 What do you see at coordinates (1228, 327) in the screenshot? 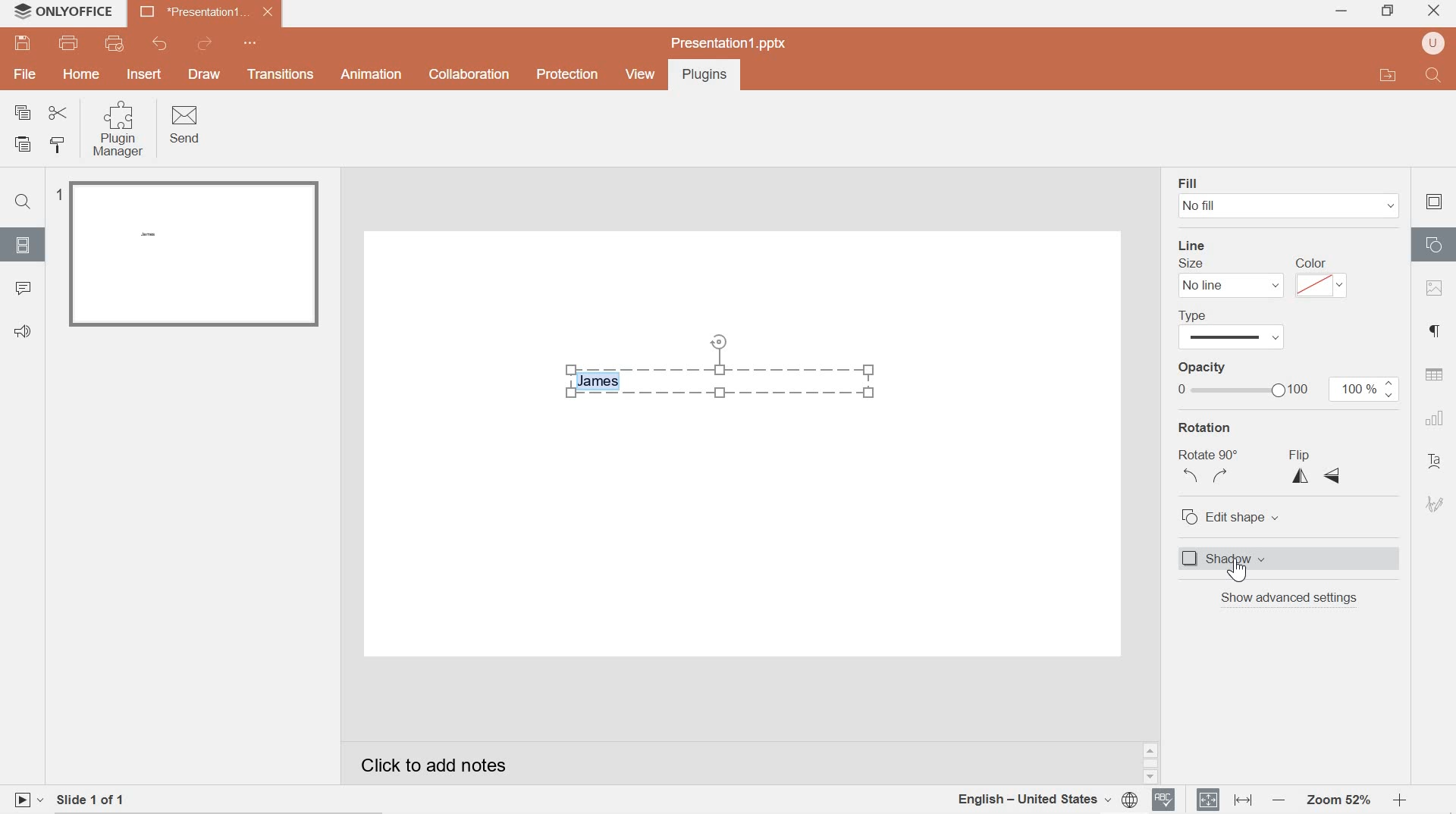
I see `line type` at bounding box center [1228, 327].